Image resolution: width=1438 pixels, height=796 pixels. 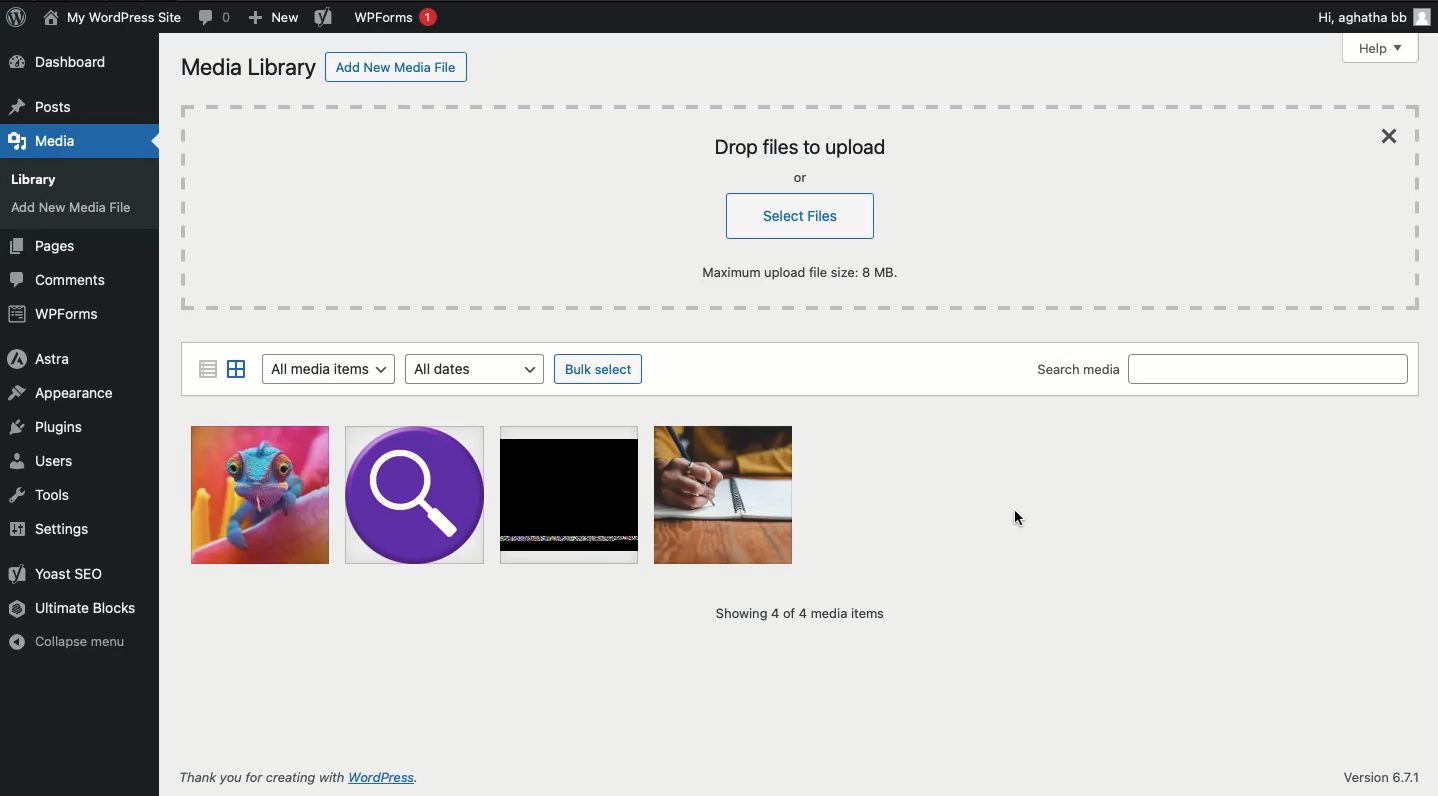 What do you see at coordinates (16, 17) in the screenshot?
I see `WordPress logo` at bounding box center [16, 17].